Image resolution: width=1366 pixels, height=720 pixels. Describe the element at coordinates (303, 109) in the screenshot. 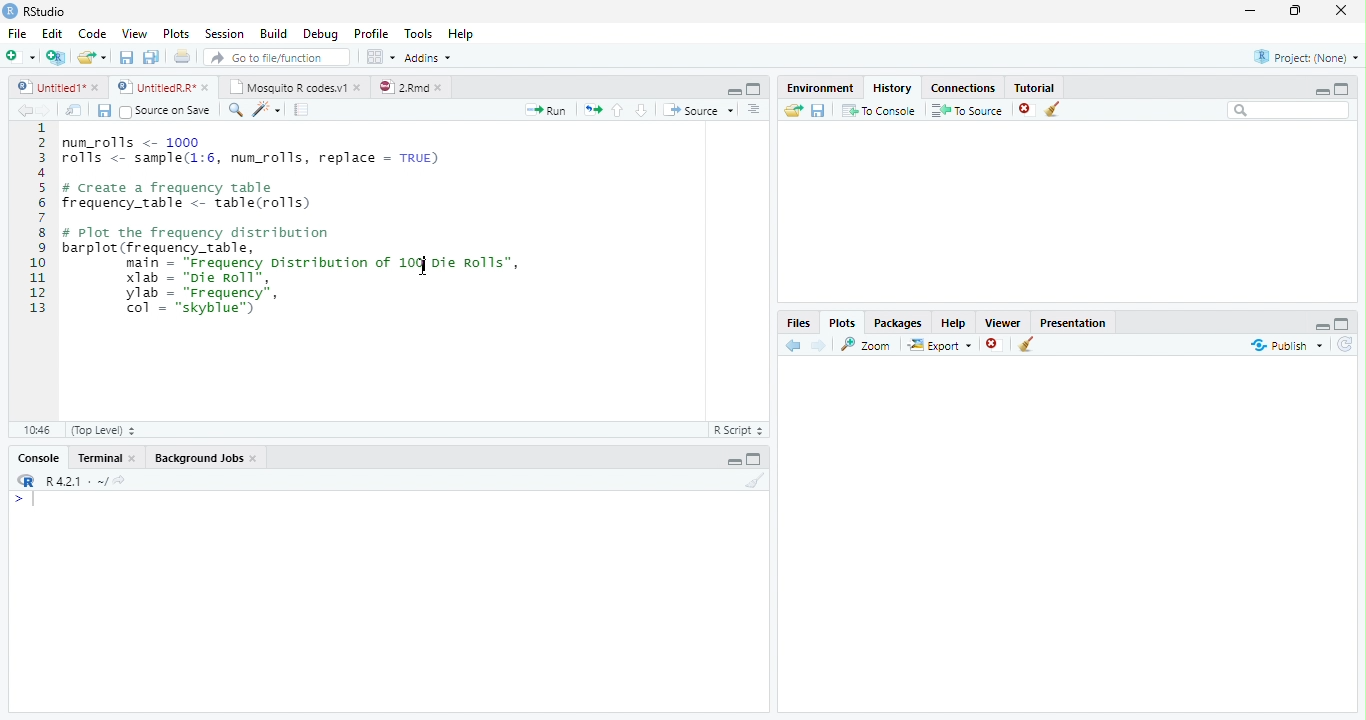

I see `Compile Report` at that location.